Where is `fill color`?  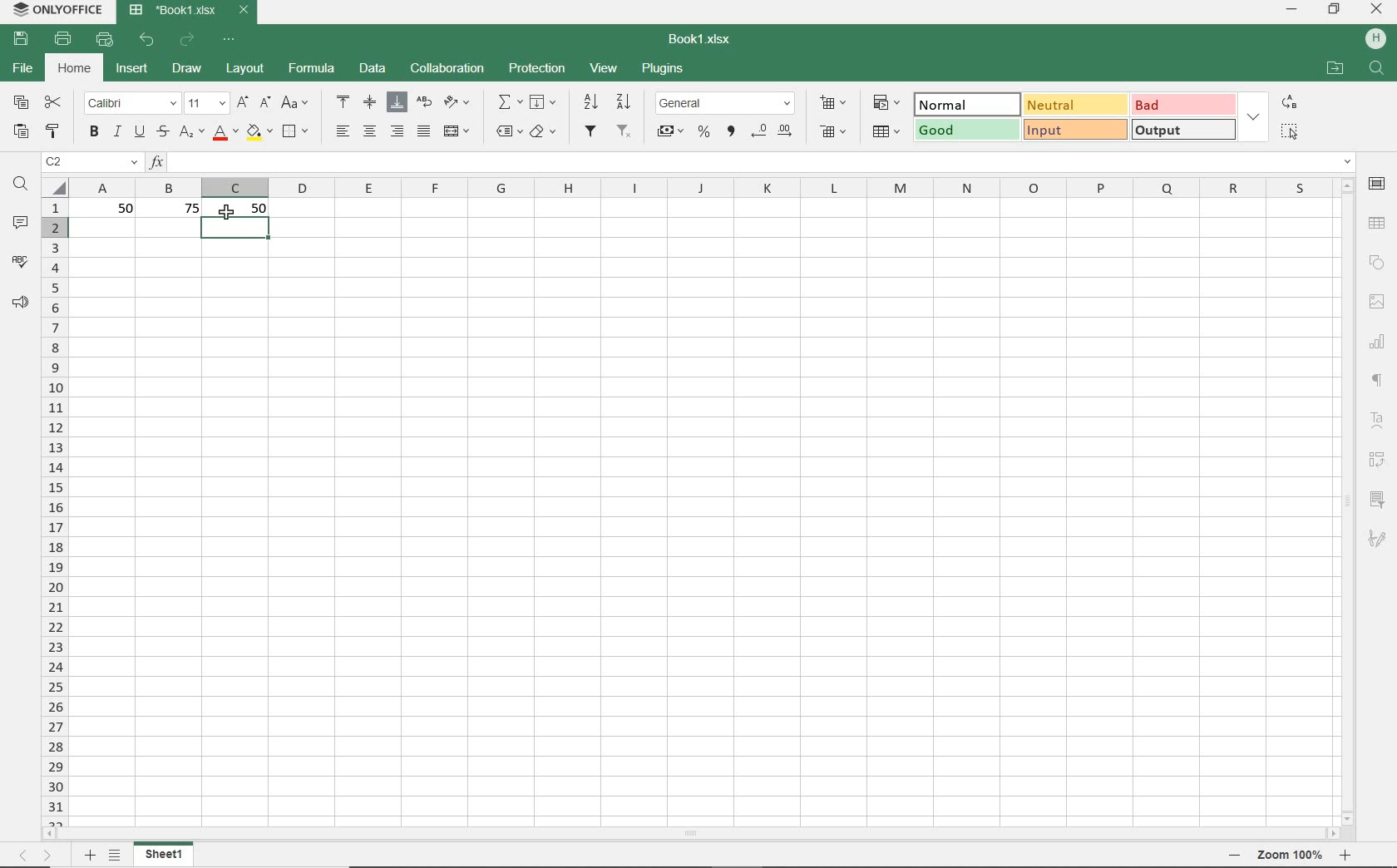
fill color is located at coordinates (259, 133).